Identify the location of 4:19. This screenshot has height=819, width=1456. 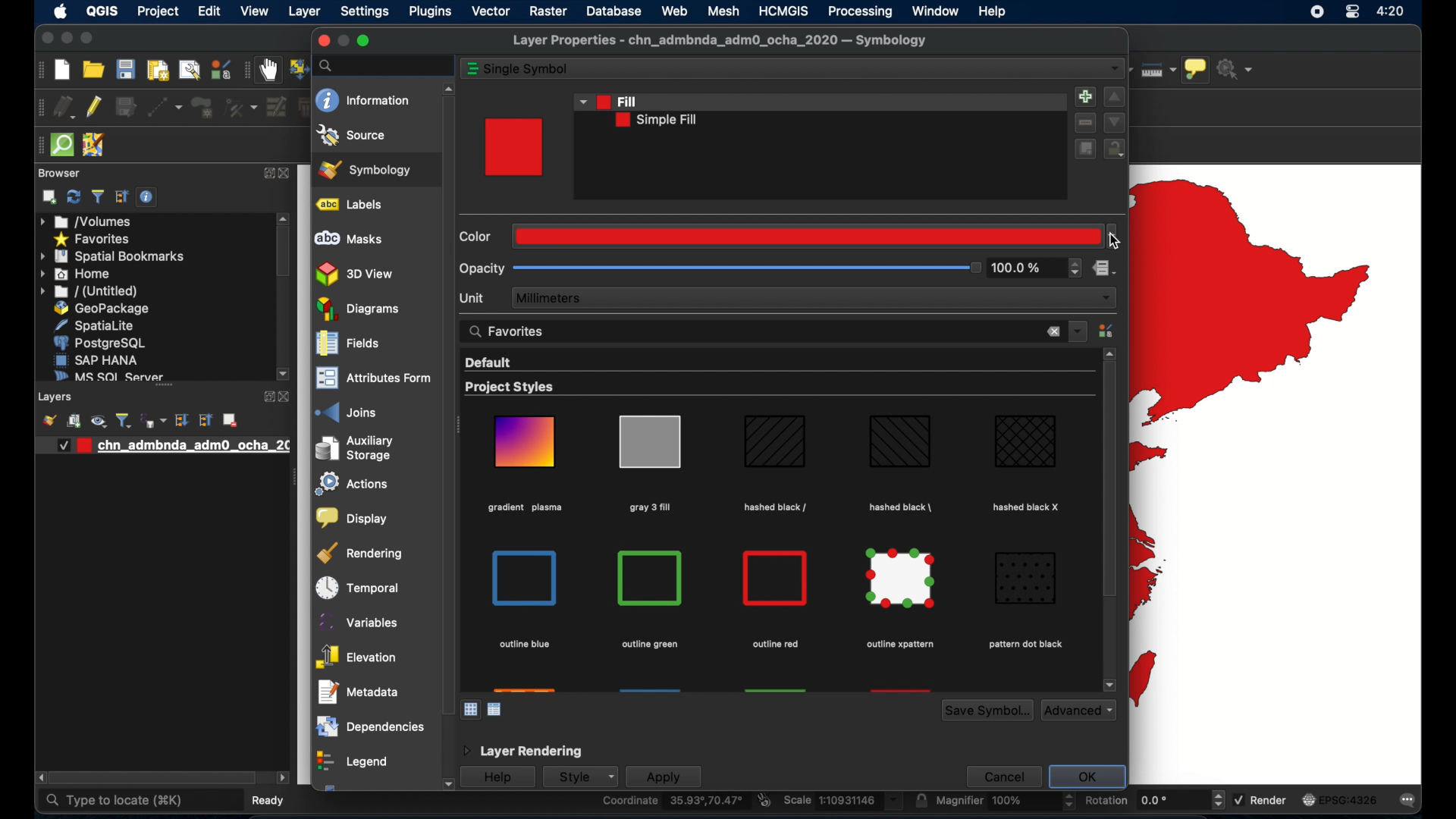
(1392, 11).